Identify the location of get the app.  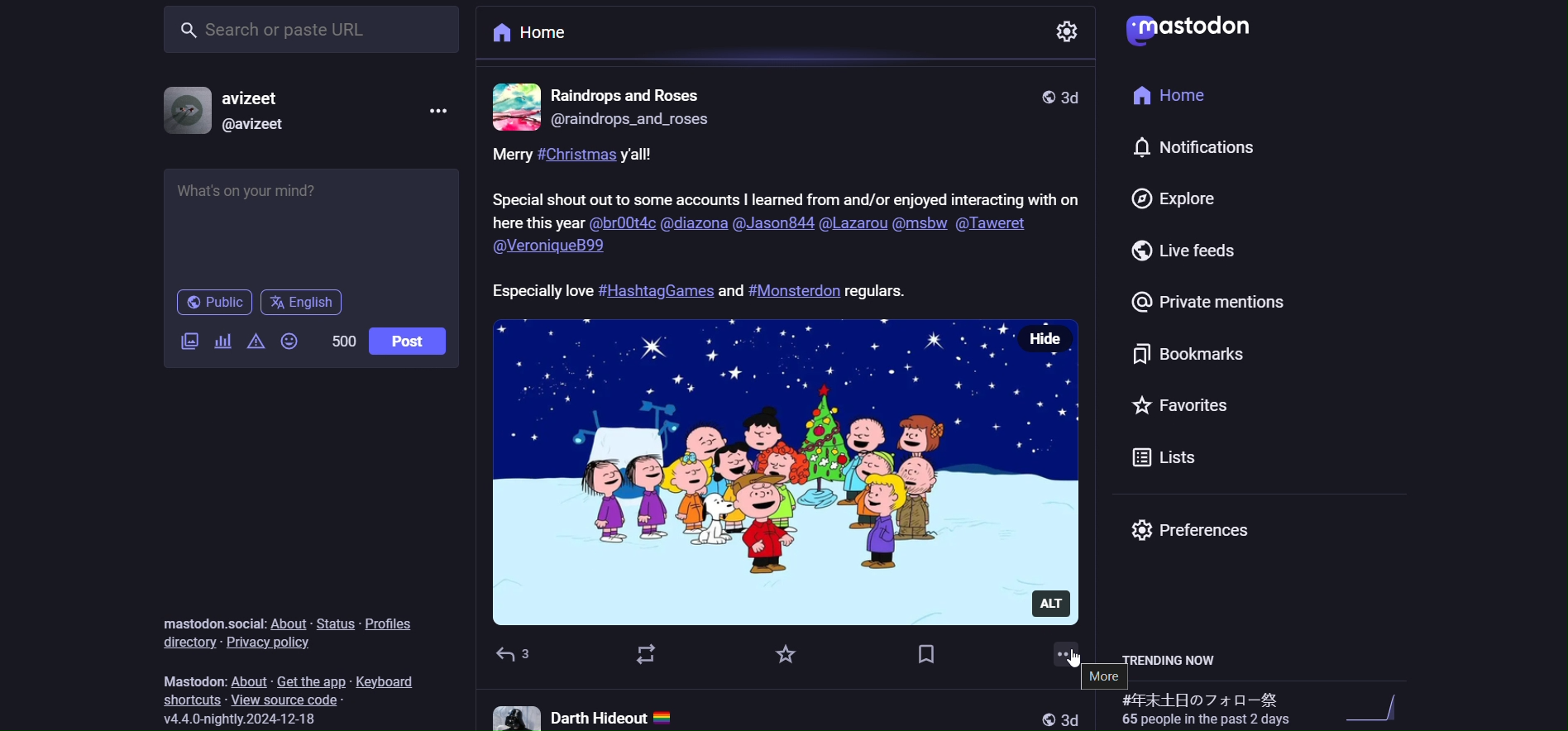
(308, 679).